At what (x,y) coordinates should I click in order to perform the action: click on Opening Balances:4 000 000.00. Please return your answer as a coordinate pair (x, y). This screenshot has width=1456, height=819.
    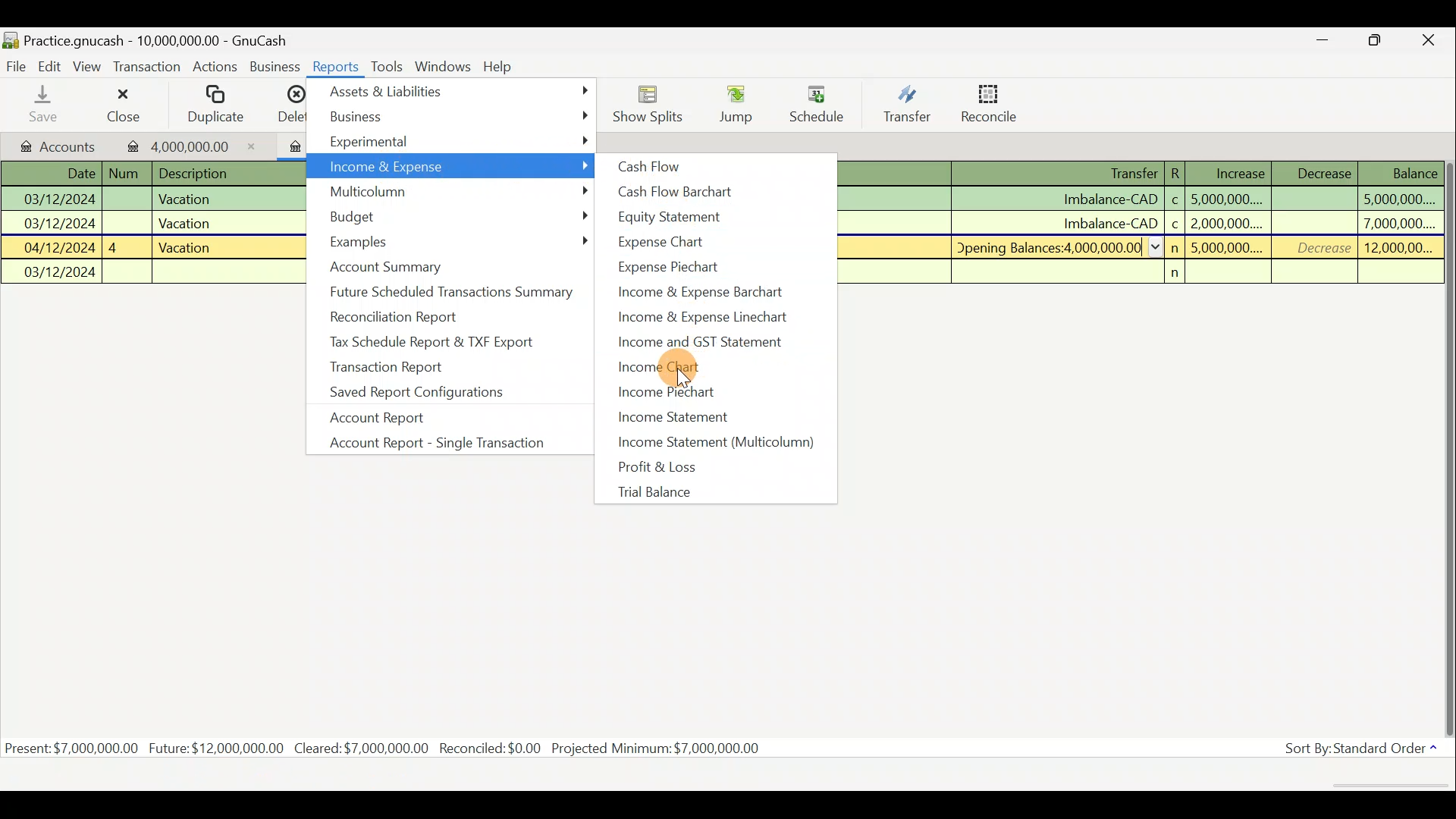
    Looking at the image, I should click on (1050, 248).